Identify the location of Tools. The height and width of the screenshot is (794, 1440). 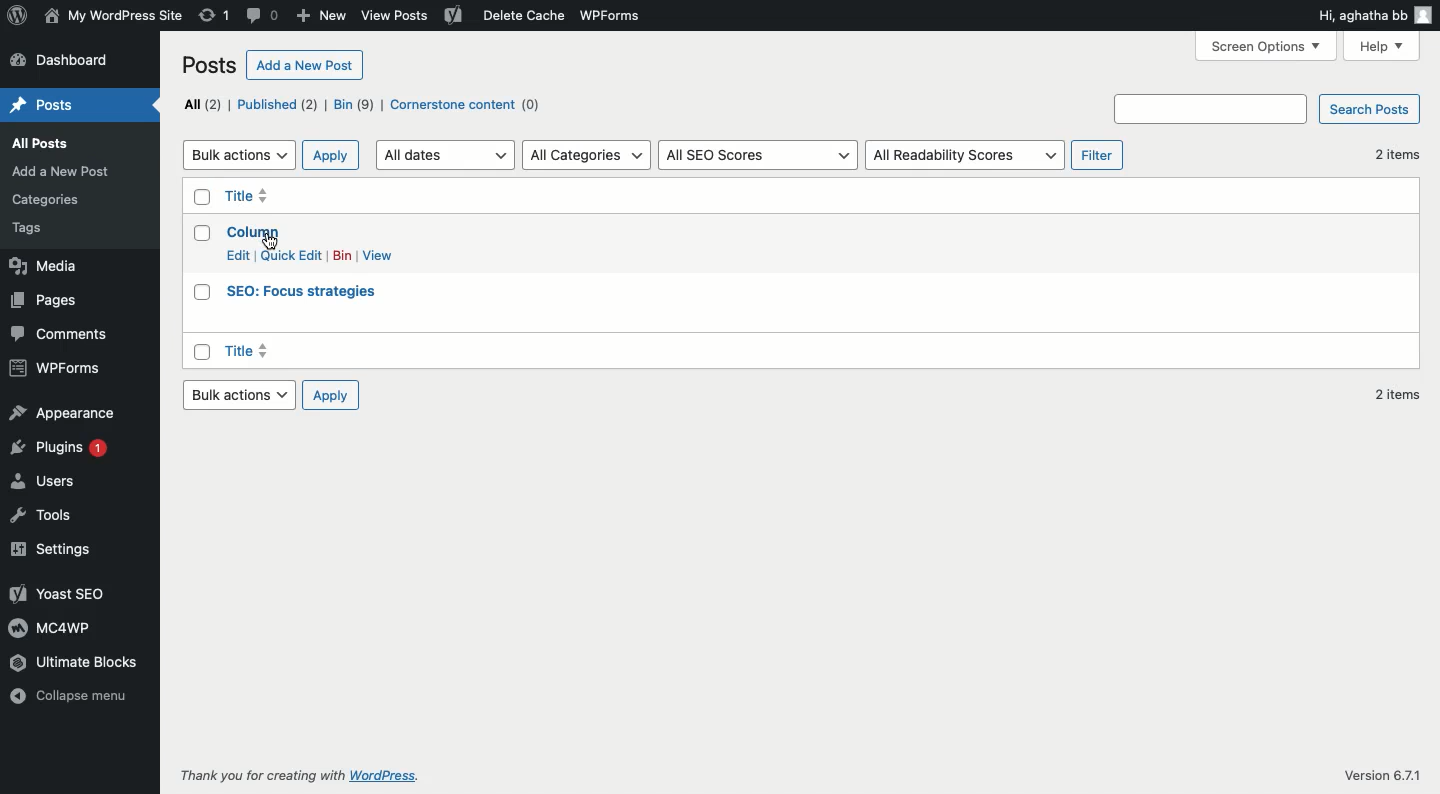
(42, 515).